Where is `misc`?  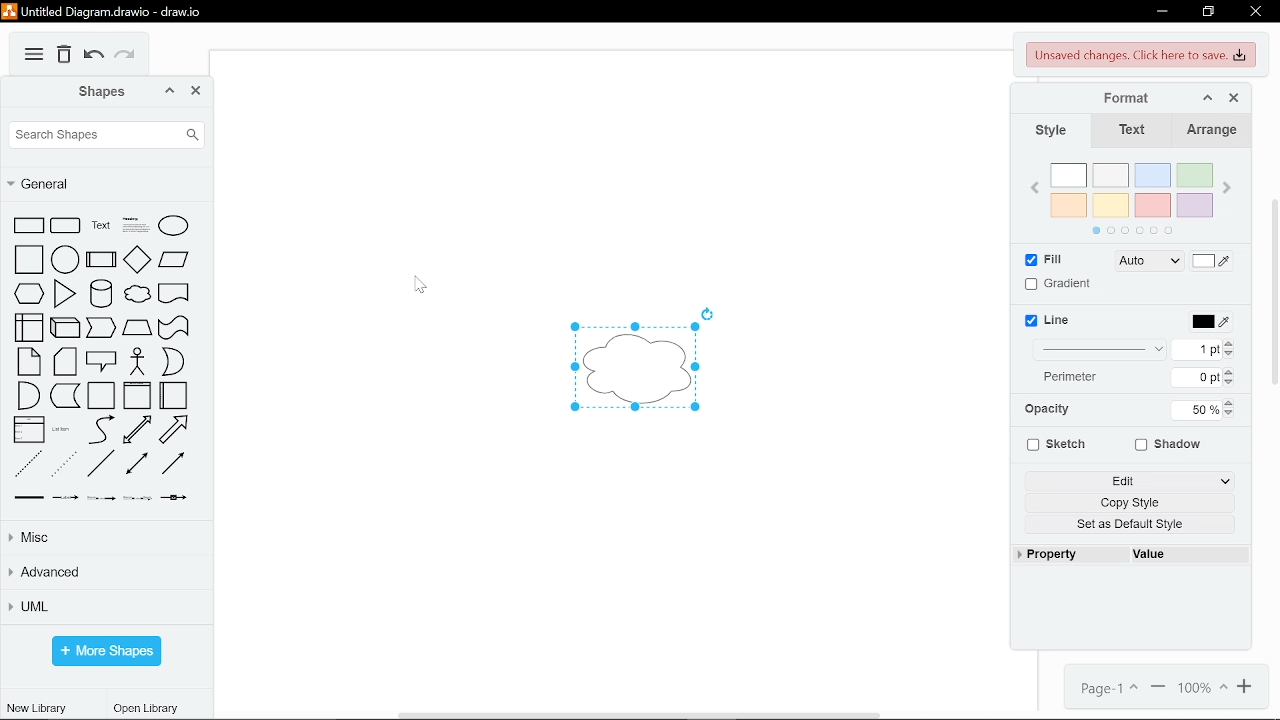 misc is located at coordinates (104, 539).